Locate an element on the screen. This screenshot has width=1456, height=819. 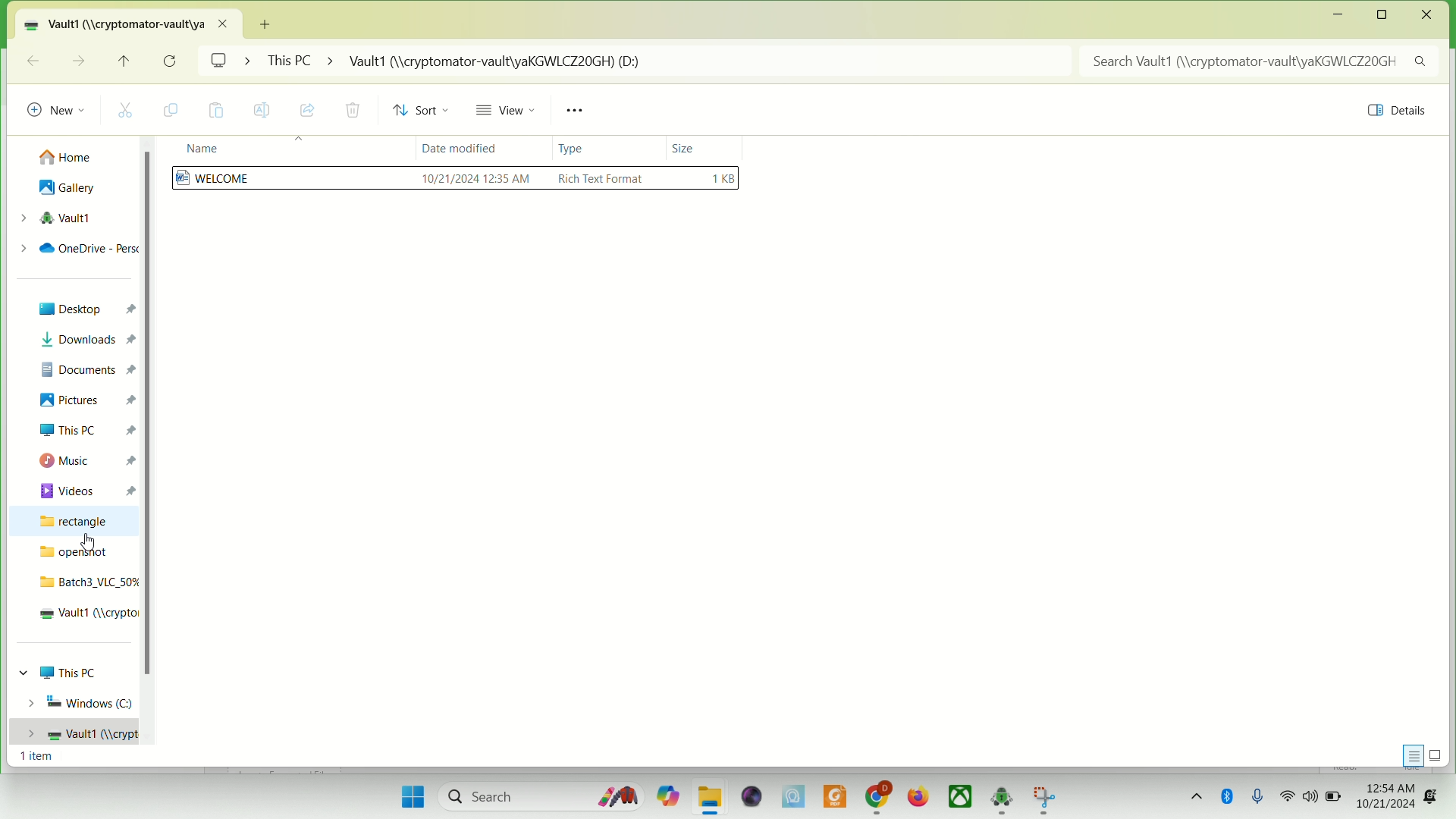
documents is located at coordinates (87, 369).